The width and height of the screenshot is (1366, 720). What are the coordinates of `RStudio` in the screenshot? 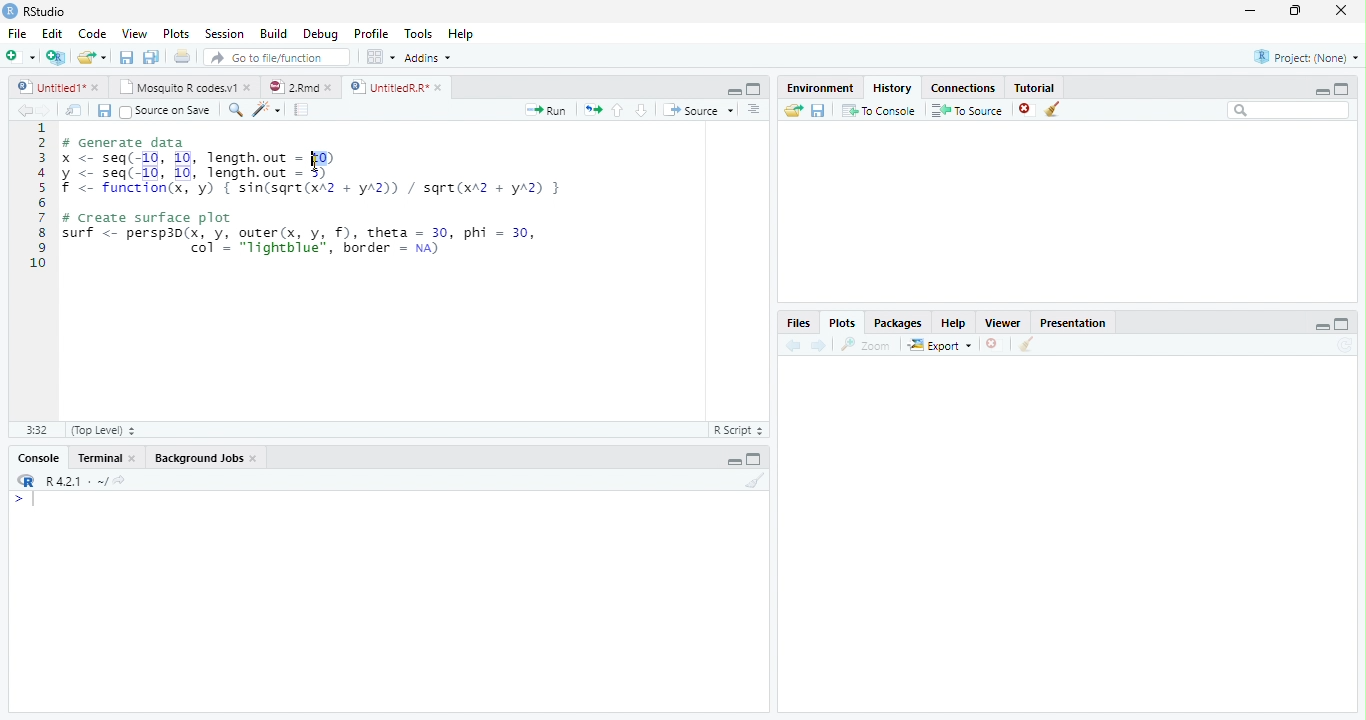 It's located at (34, 11).